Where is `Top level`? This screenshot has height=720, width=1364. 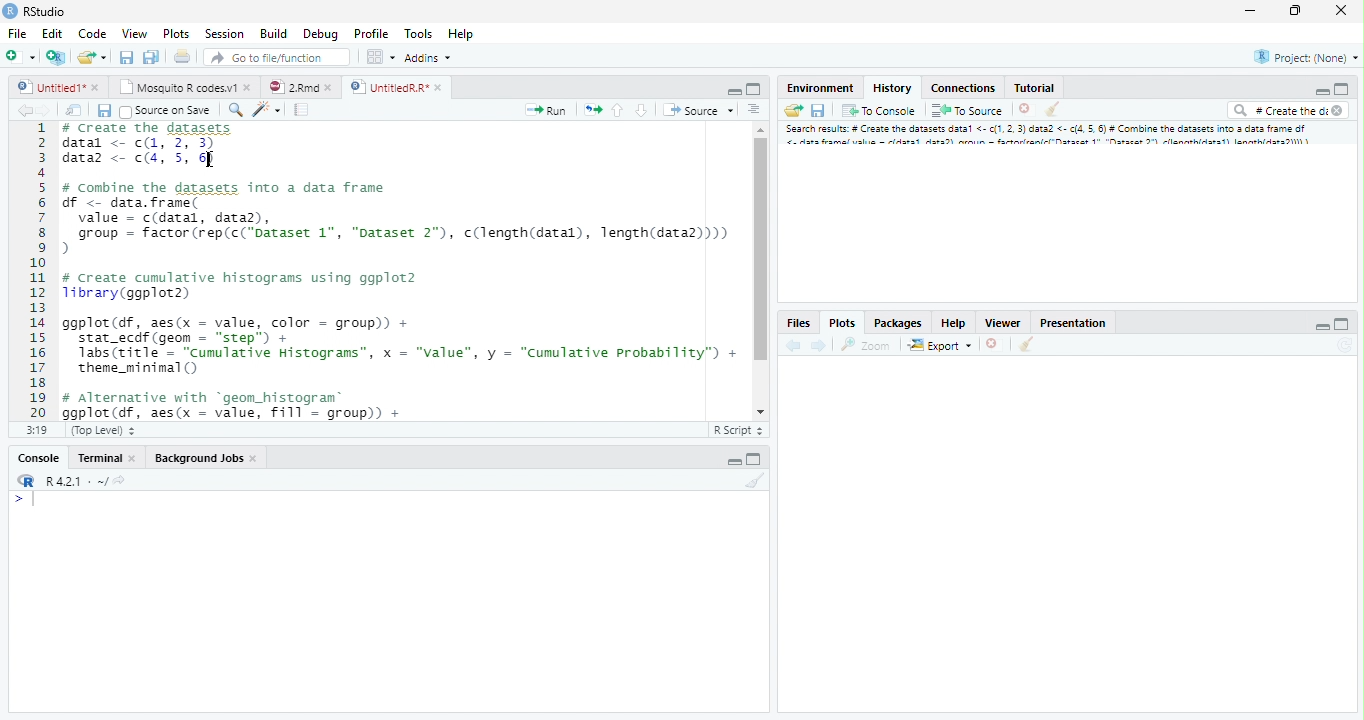 Top level is located at coordinates (105, 428).